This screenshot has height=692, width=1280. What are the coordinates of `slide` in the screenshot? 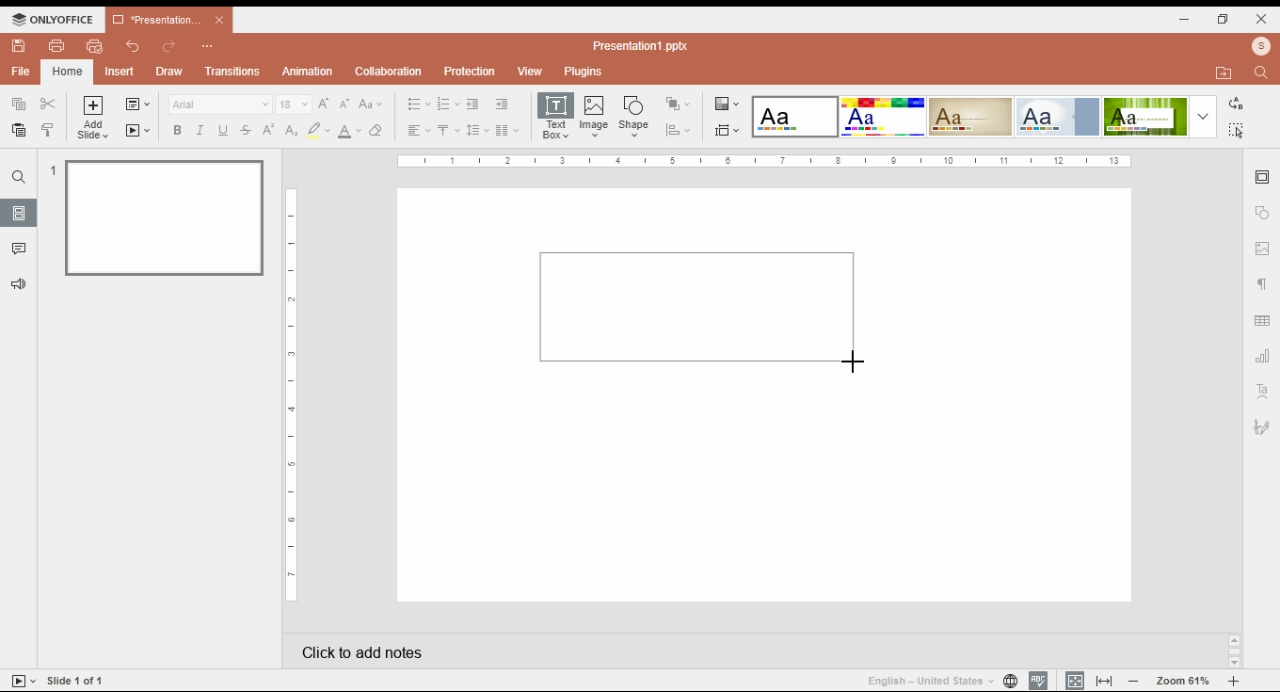 It's located at (19, 213).